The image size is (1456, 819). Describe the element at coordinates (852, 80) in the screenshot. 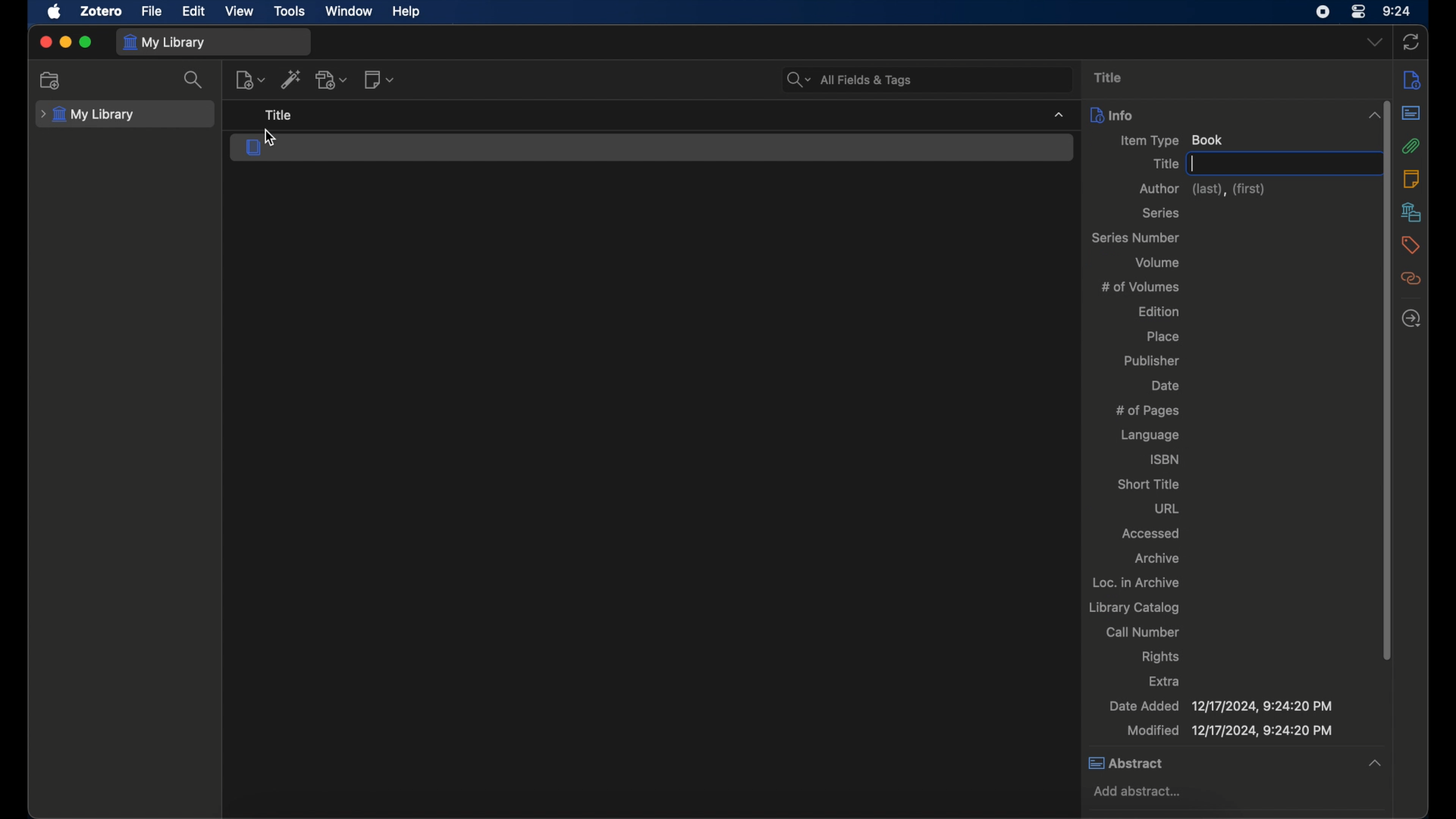

I see `search` at that location.